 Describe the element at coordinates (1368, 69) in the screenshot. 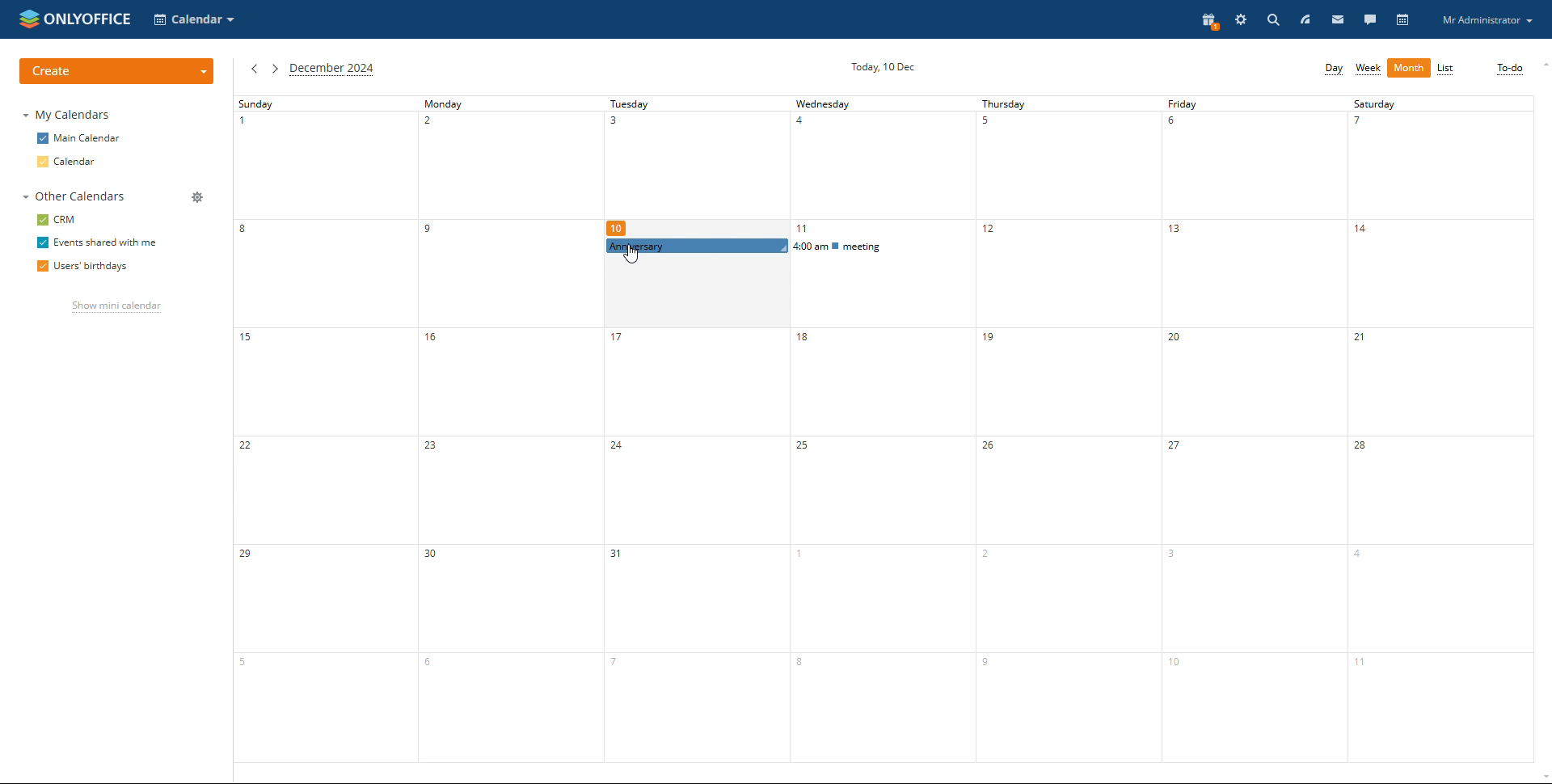

I see `week view` at that location.